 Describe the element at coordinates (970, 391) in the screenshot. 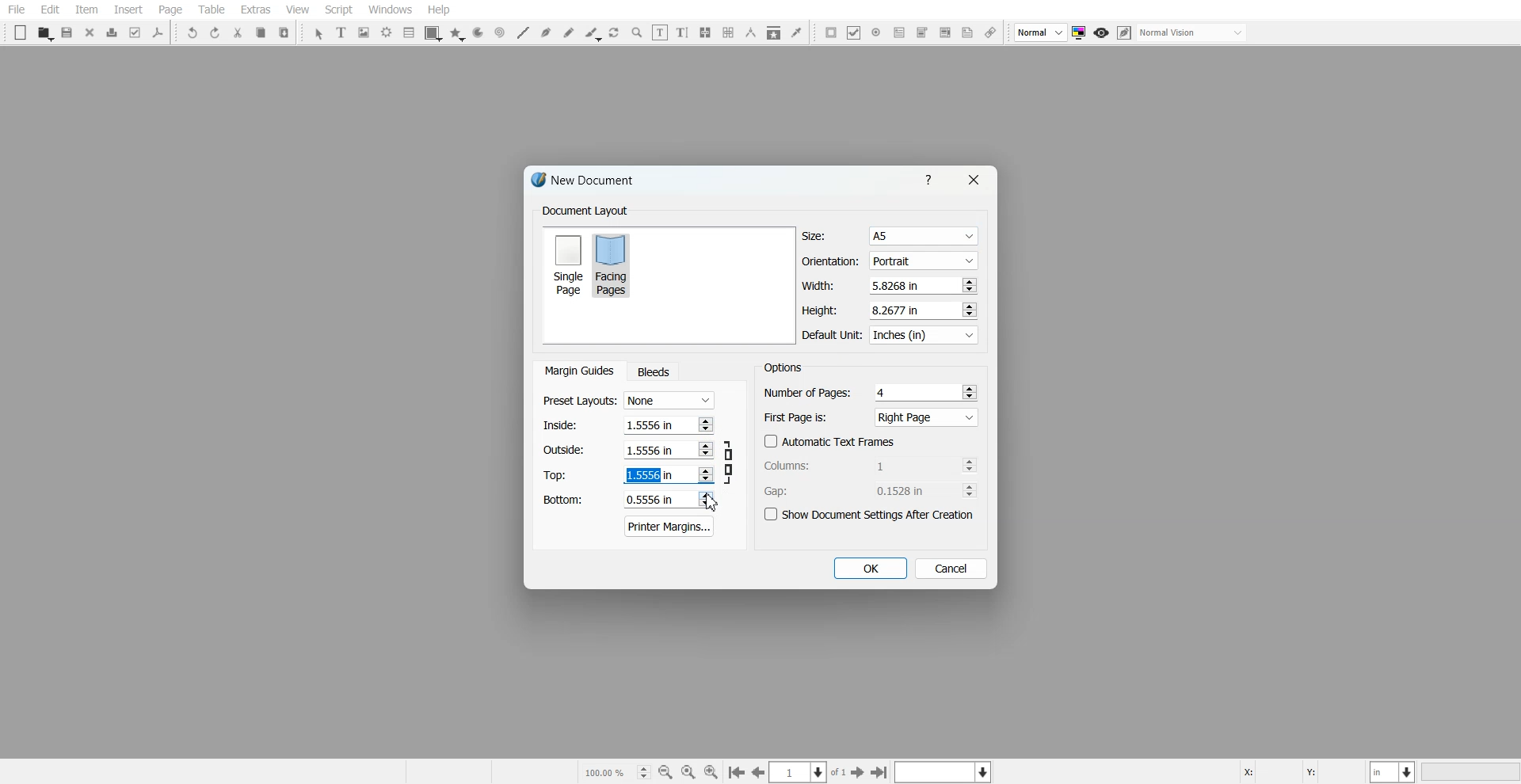

I see `Increase and decrease No. ` at that location.